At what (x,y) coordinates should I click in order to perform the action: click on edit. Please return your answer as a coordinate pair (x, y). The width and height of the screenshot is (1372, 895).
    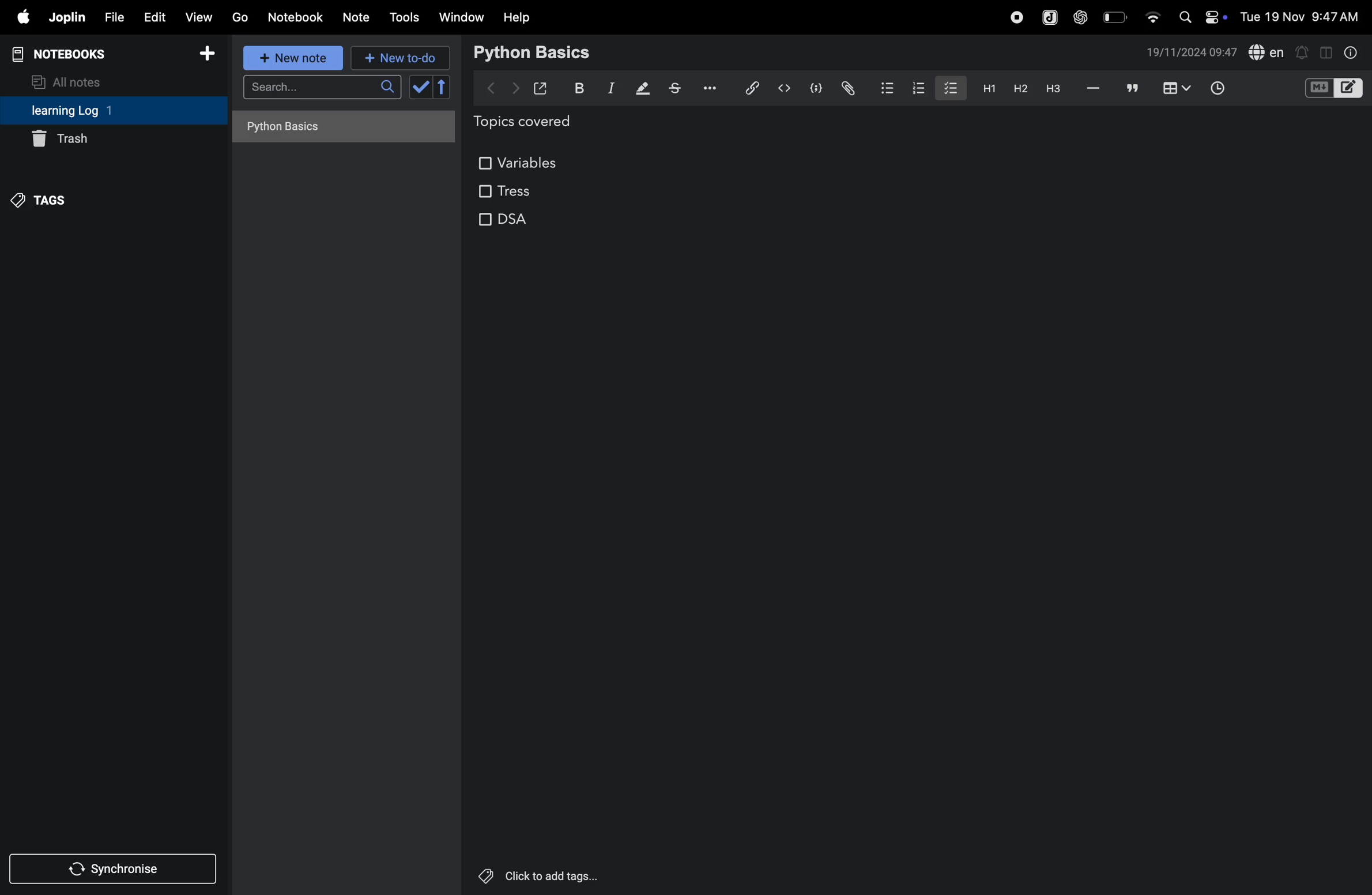
    Looking at the image, I should click on (153, 17).